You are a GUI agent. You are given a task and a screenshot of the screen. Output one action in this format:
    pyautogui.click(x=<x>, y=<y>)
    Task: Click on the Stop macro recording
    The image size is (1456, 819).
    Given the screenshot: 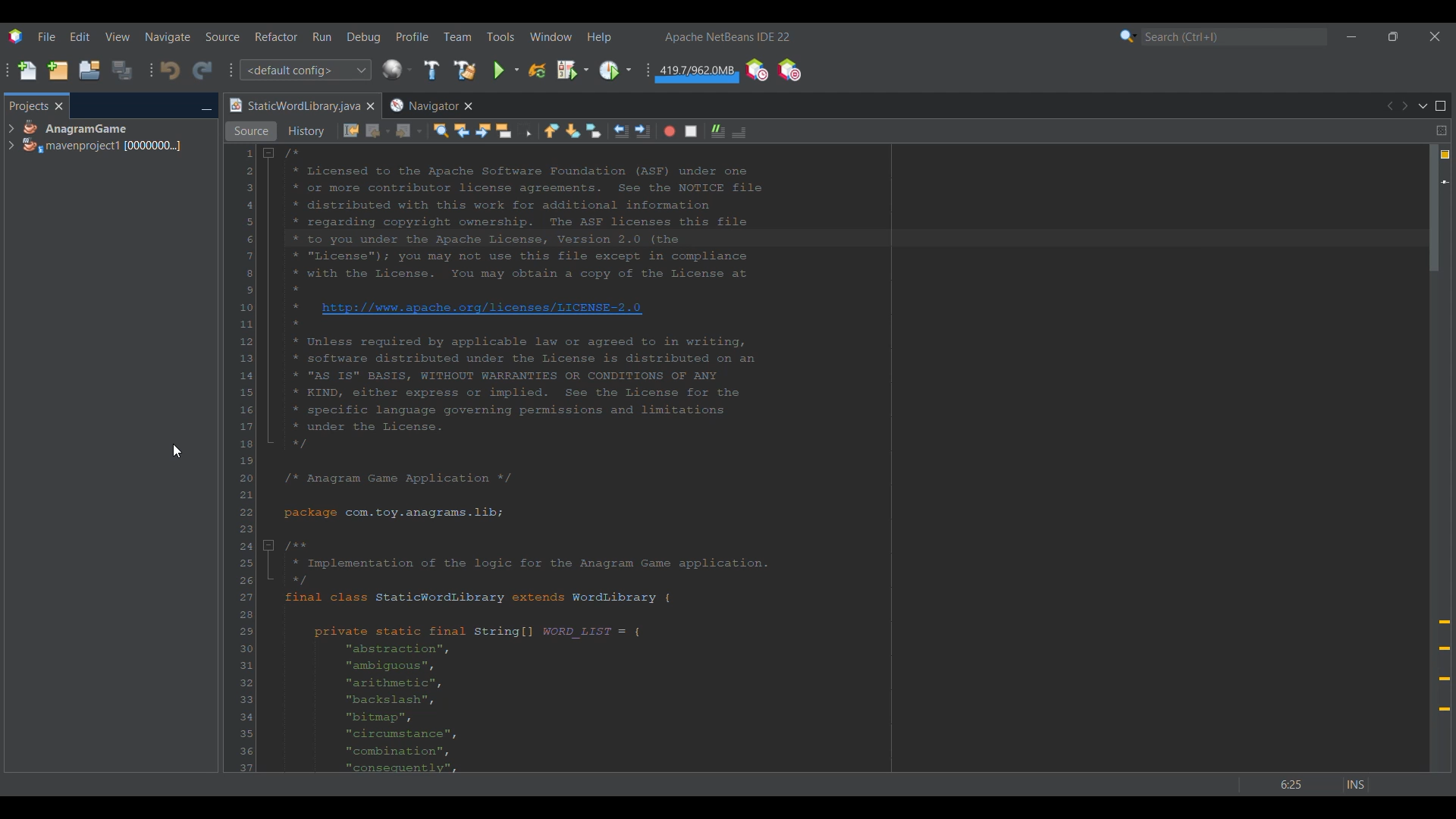 What is the action you would take?
    pyautogui.click(x=691, y=131)
    